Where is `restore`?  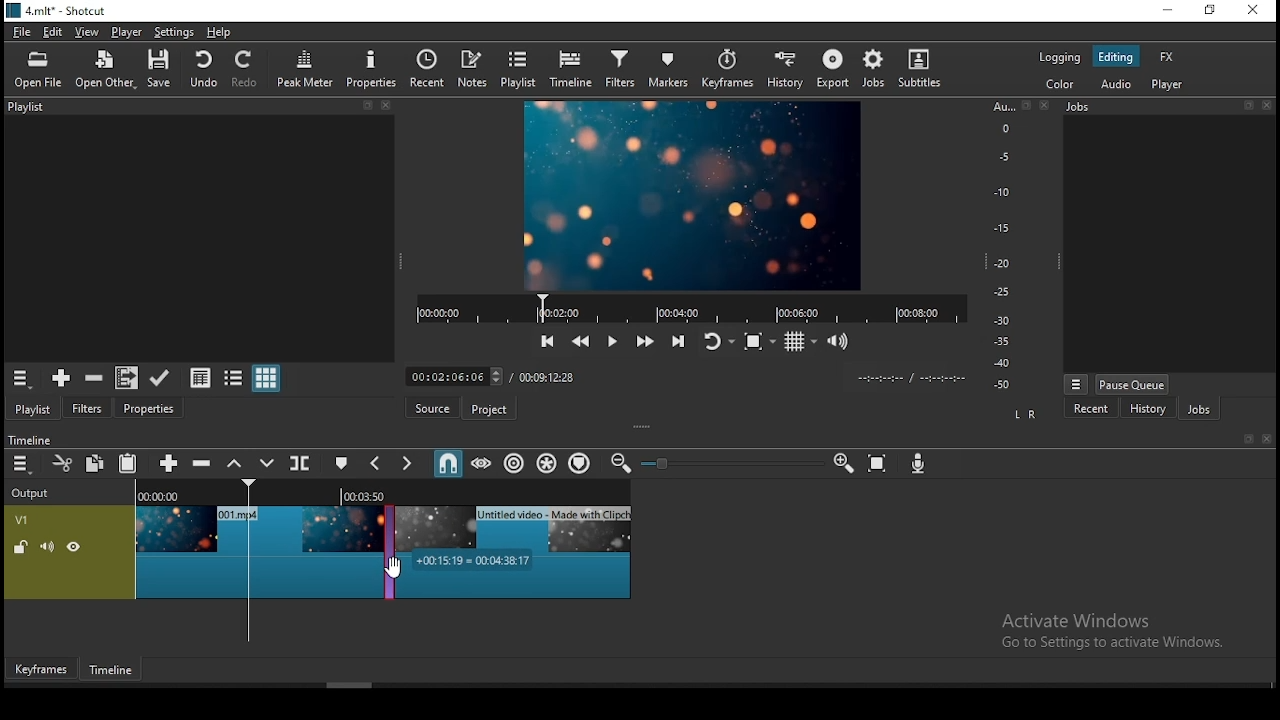 restore is located at coordinates (1212, 11).